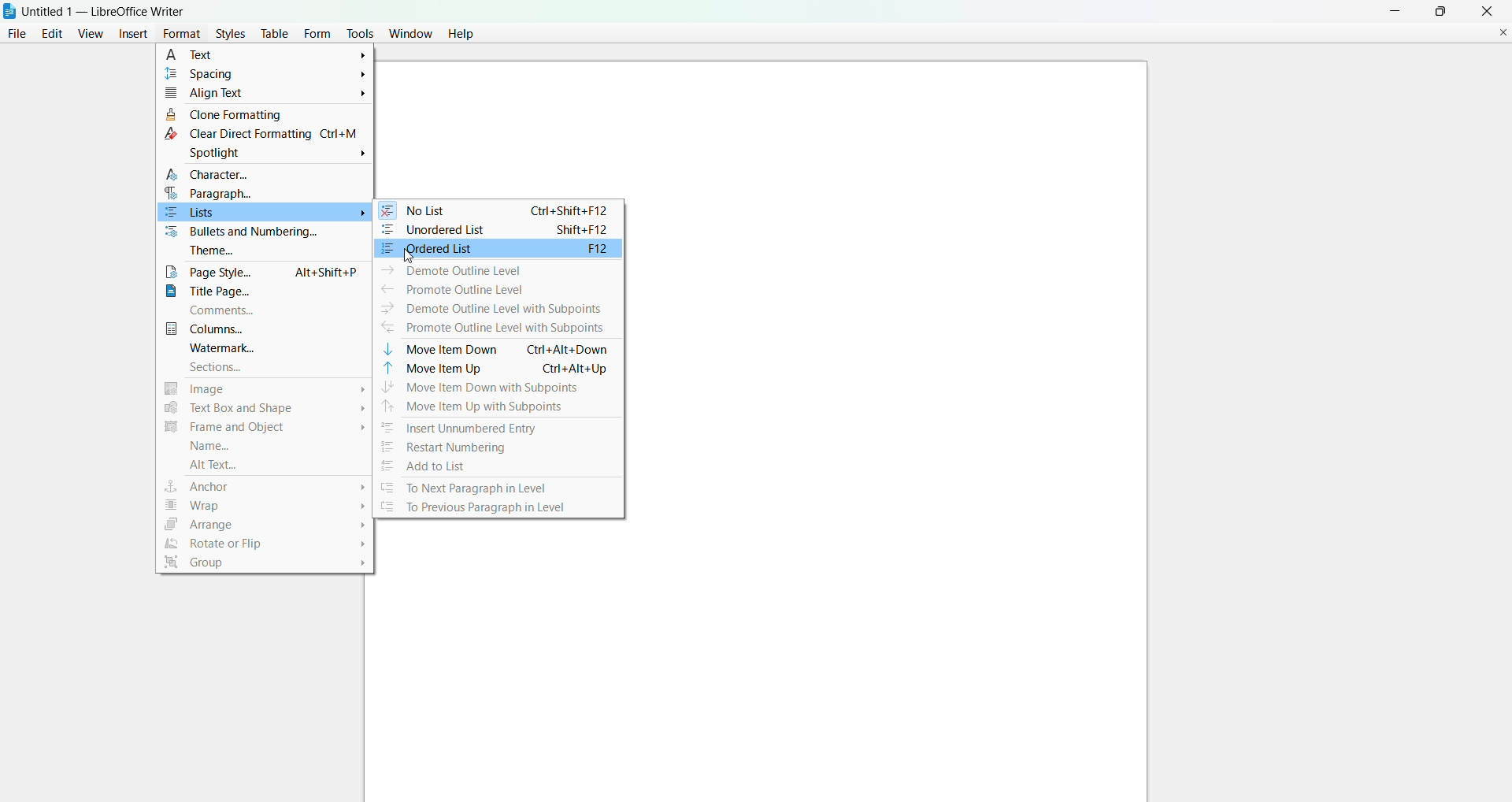 The image size is (1512, 802). I want to click on window, so click(410, 33).